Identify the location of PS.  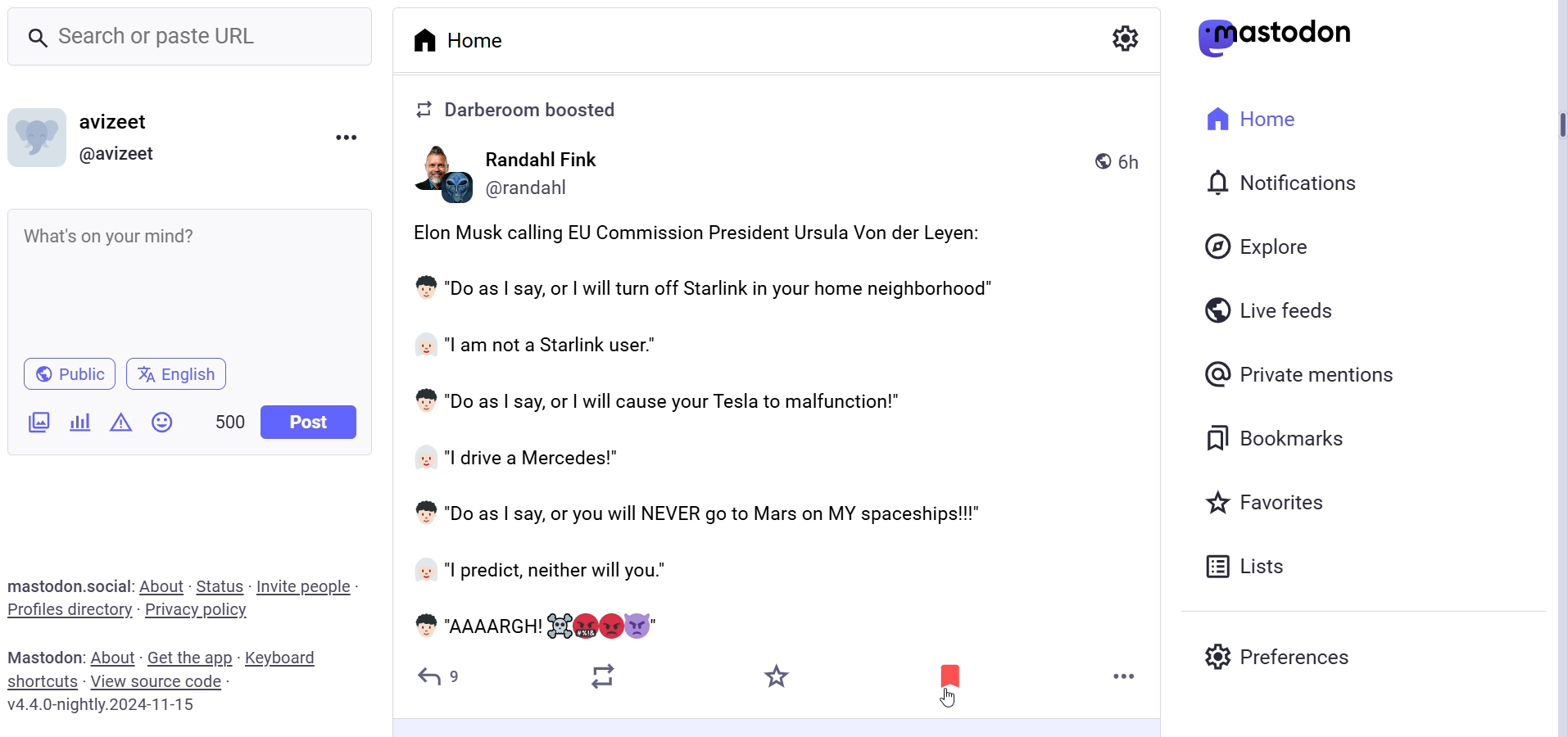
(437, 175).